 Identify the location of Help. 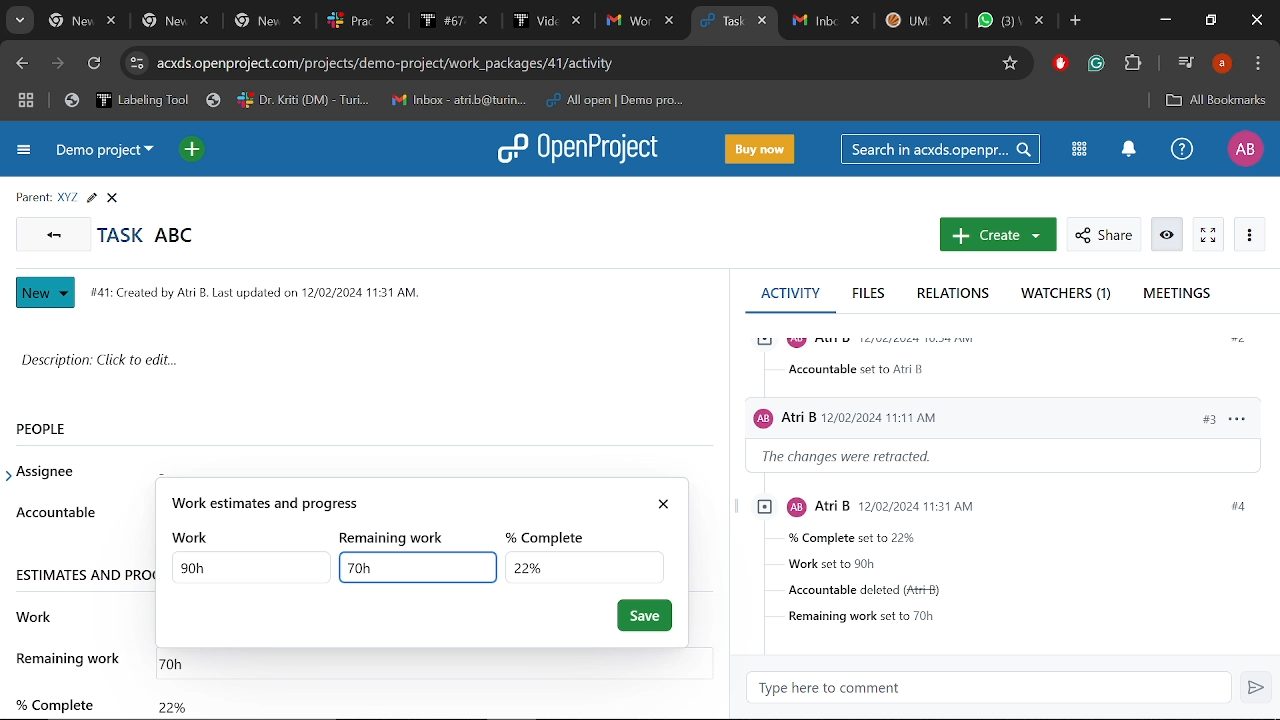
(1182, 151).